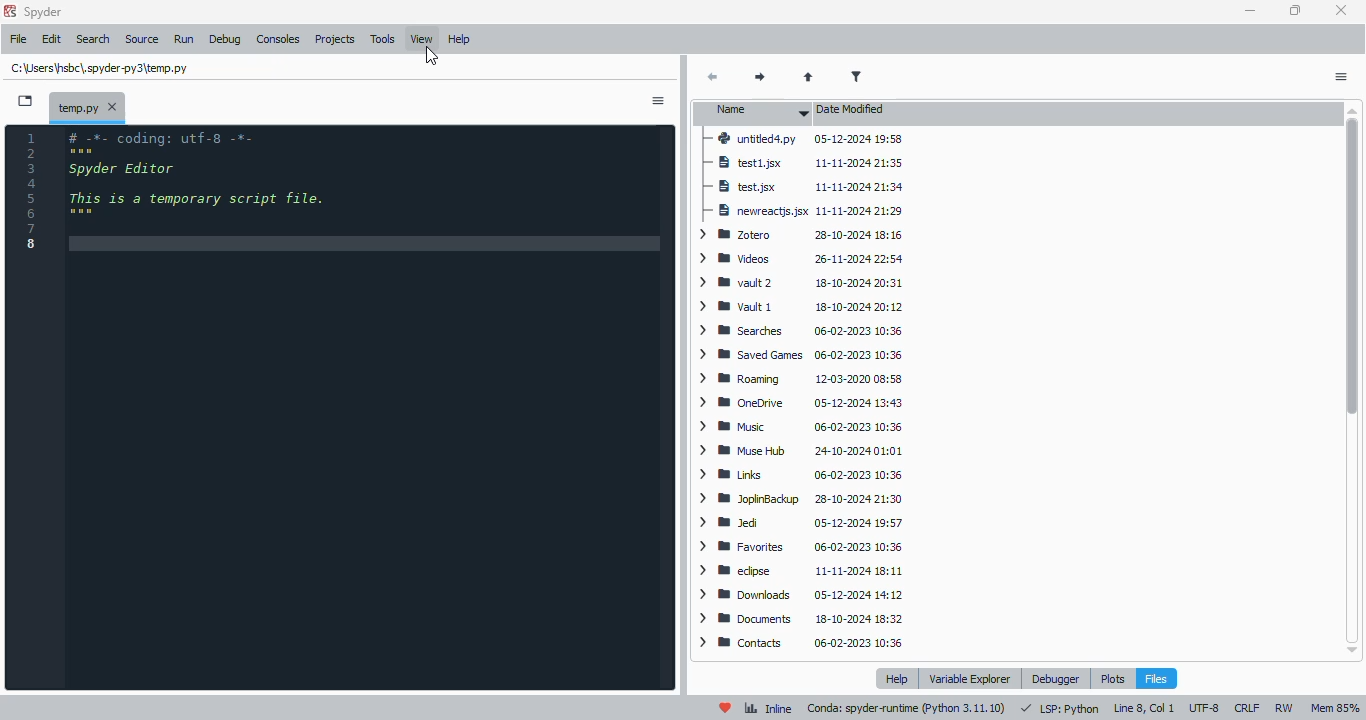 This screenshot has width=1366, height=720. What do you see at coordinates (800, 619) in the screenshot?
I see `documents` at bounding box center [800, 619].